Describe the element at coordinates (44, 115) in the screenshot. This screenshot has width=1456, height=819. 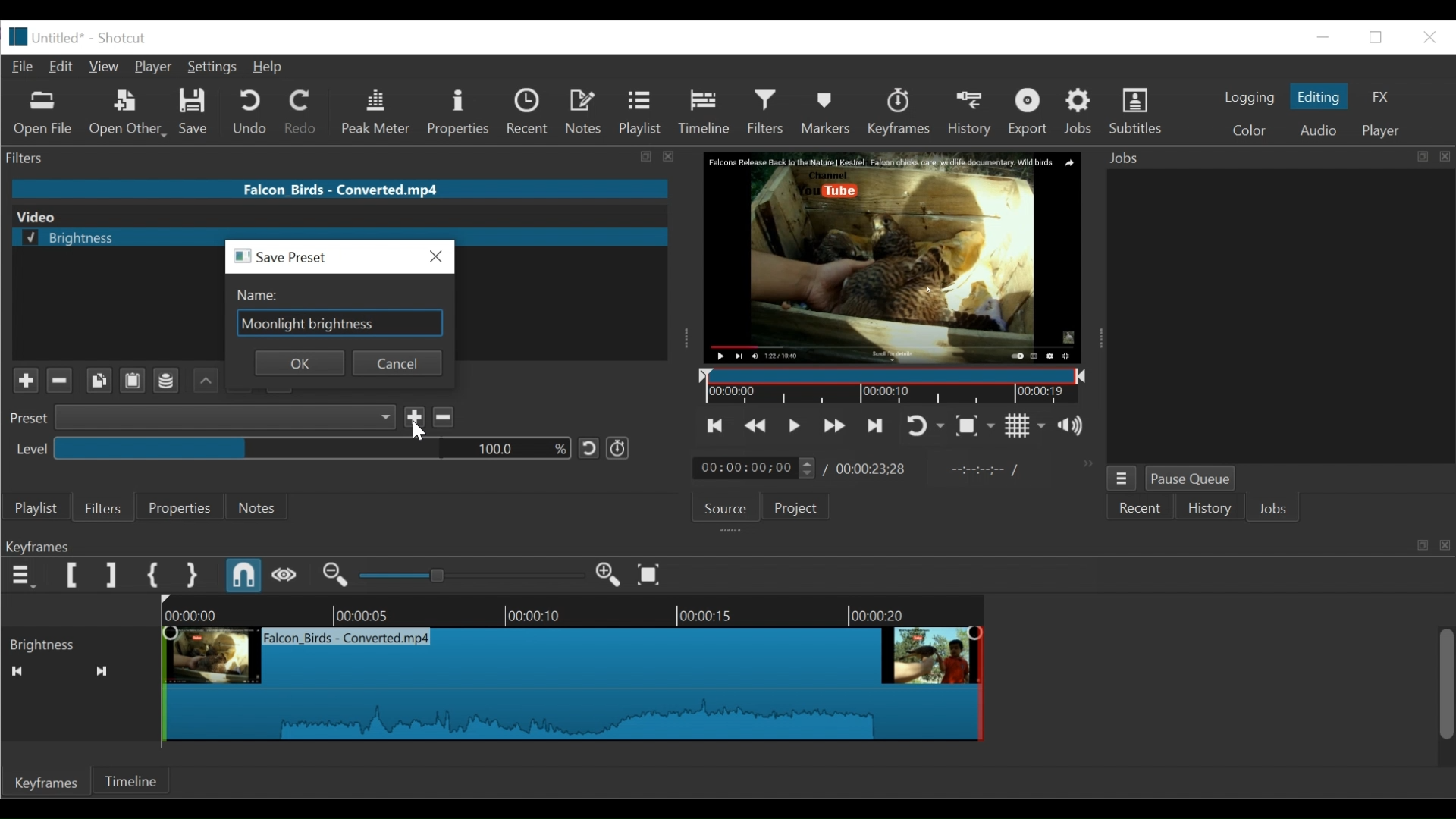
I see `Open File` at that location.